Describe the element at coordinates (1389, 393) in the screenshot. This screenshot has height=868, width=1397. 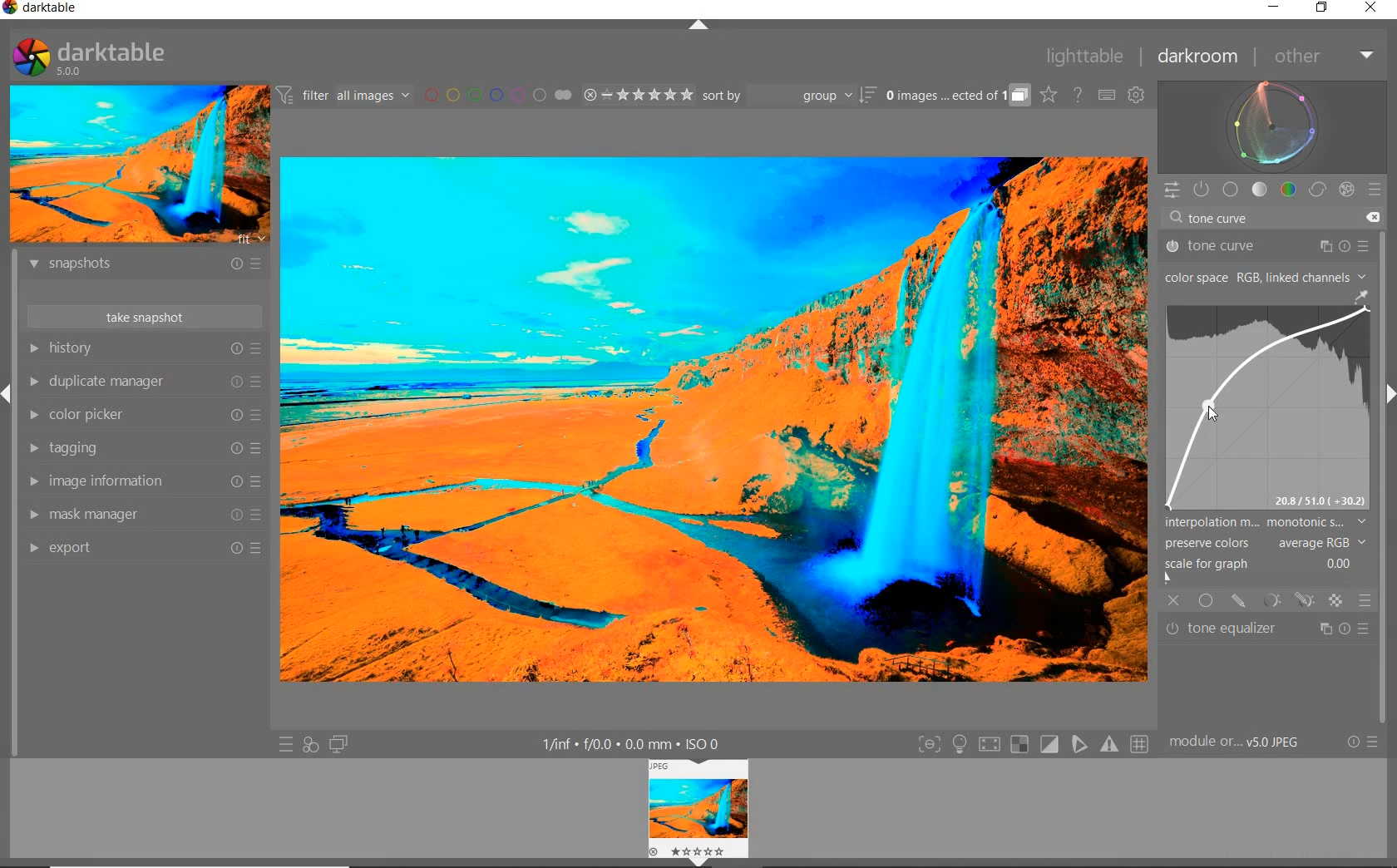
I see `Expand/Collapse` at that location.